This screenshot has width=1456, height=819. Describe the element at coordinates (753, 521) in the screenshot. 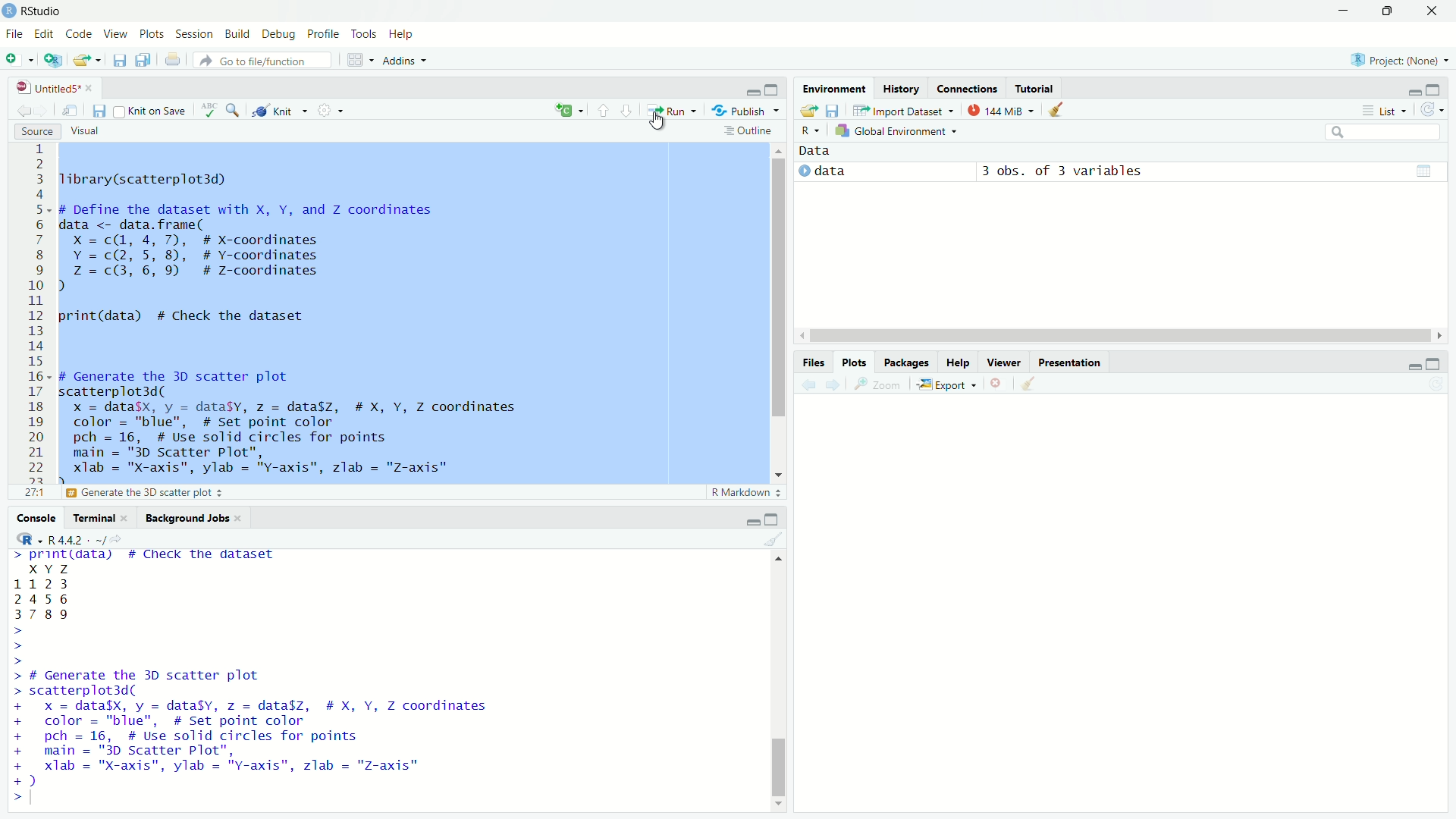

I see `minimize` at that location.